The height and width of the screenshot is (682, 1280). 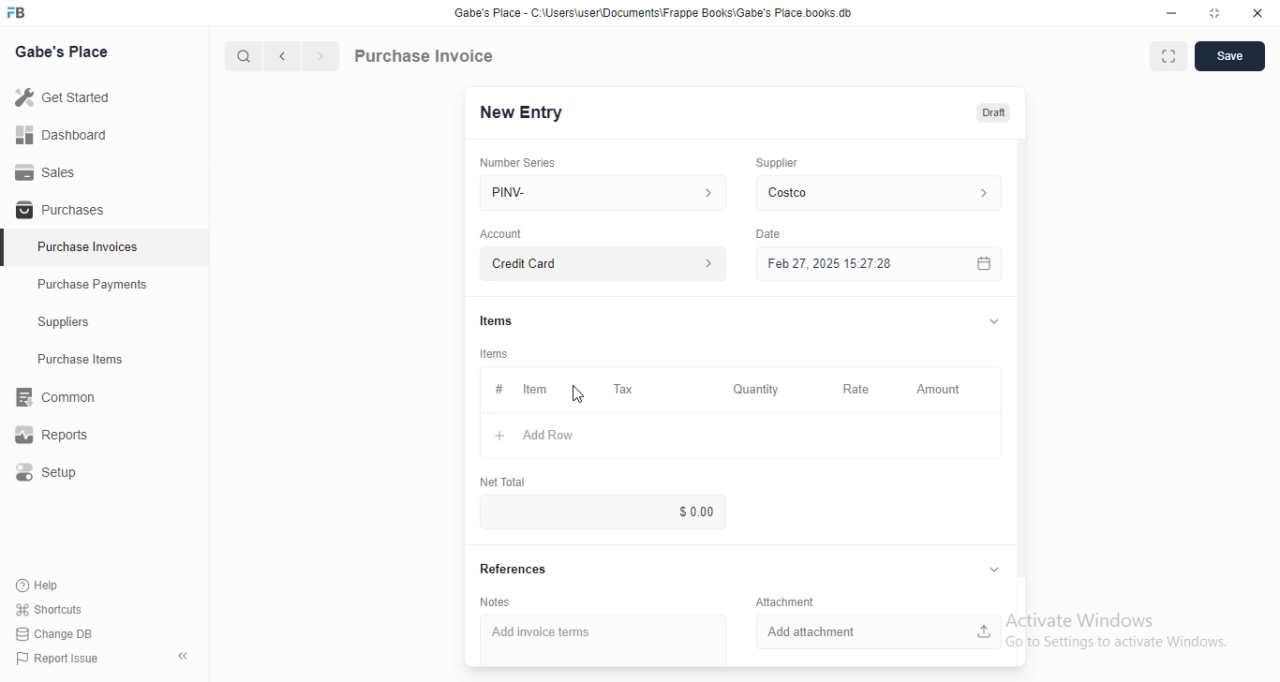 I want to click on Purchases, so click(x=104, y=208).